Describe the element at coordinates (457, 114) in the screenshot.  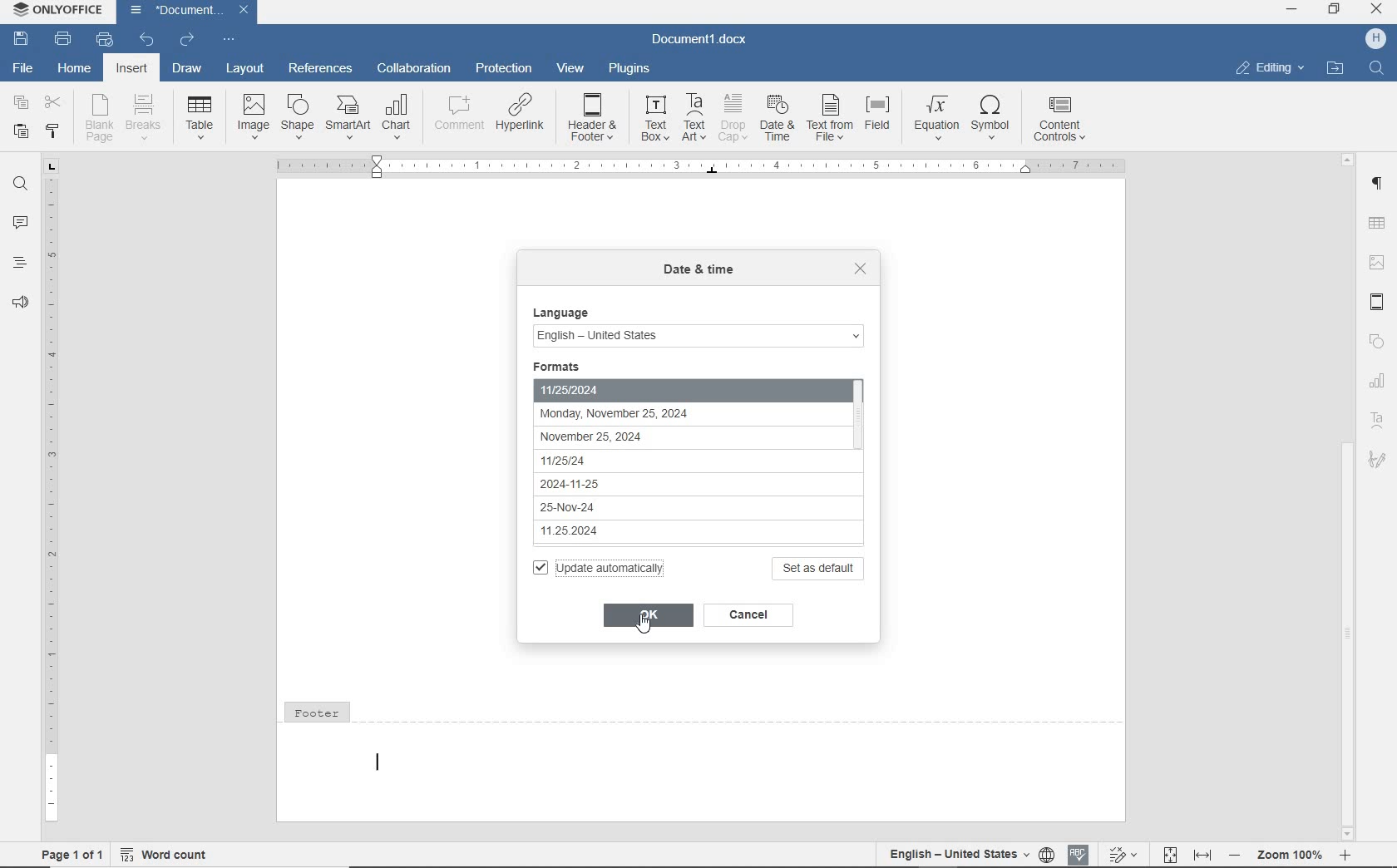
I see `comment` at that location.